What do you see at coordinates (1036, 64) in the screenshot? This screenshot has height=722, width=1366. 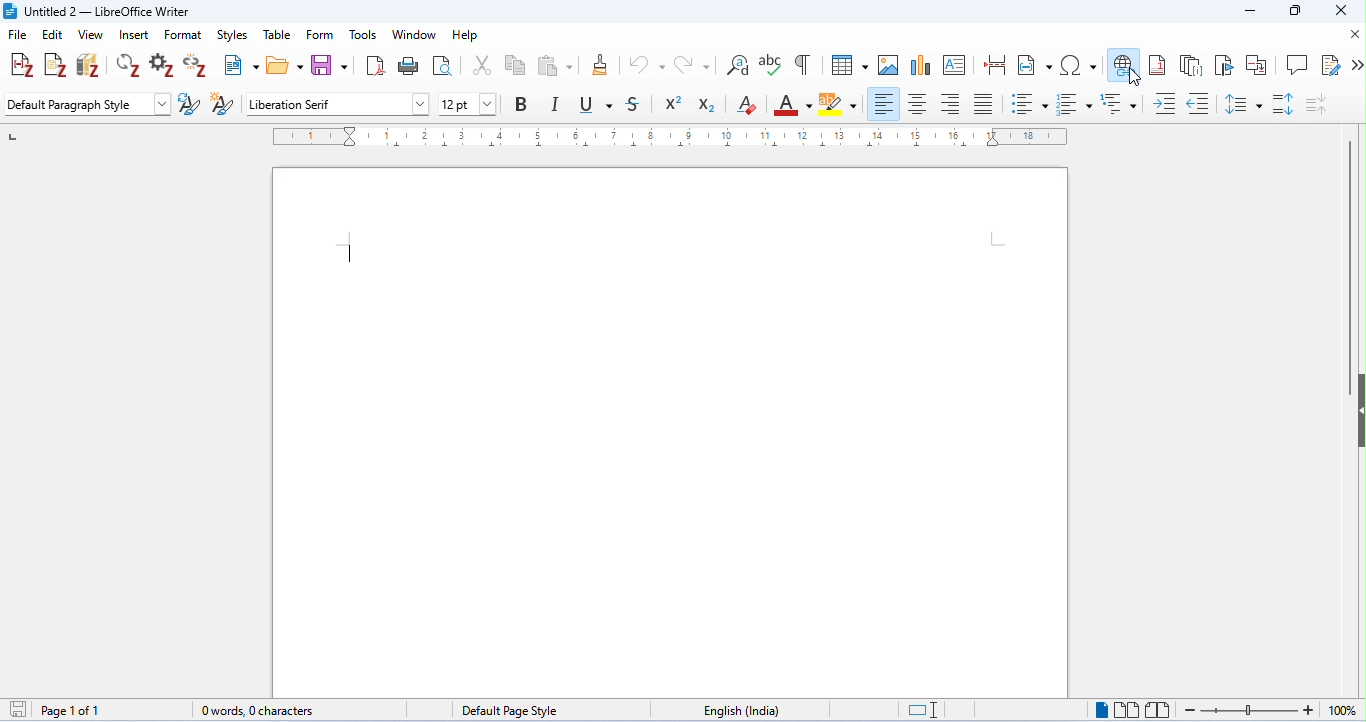 I see `insert field` at bounding box center [1036, 64].